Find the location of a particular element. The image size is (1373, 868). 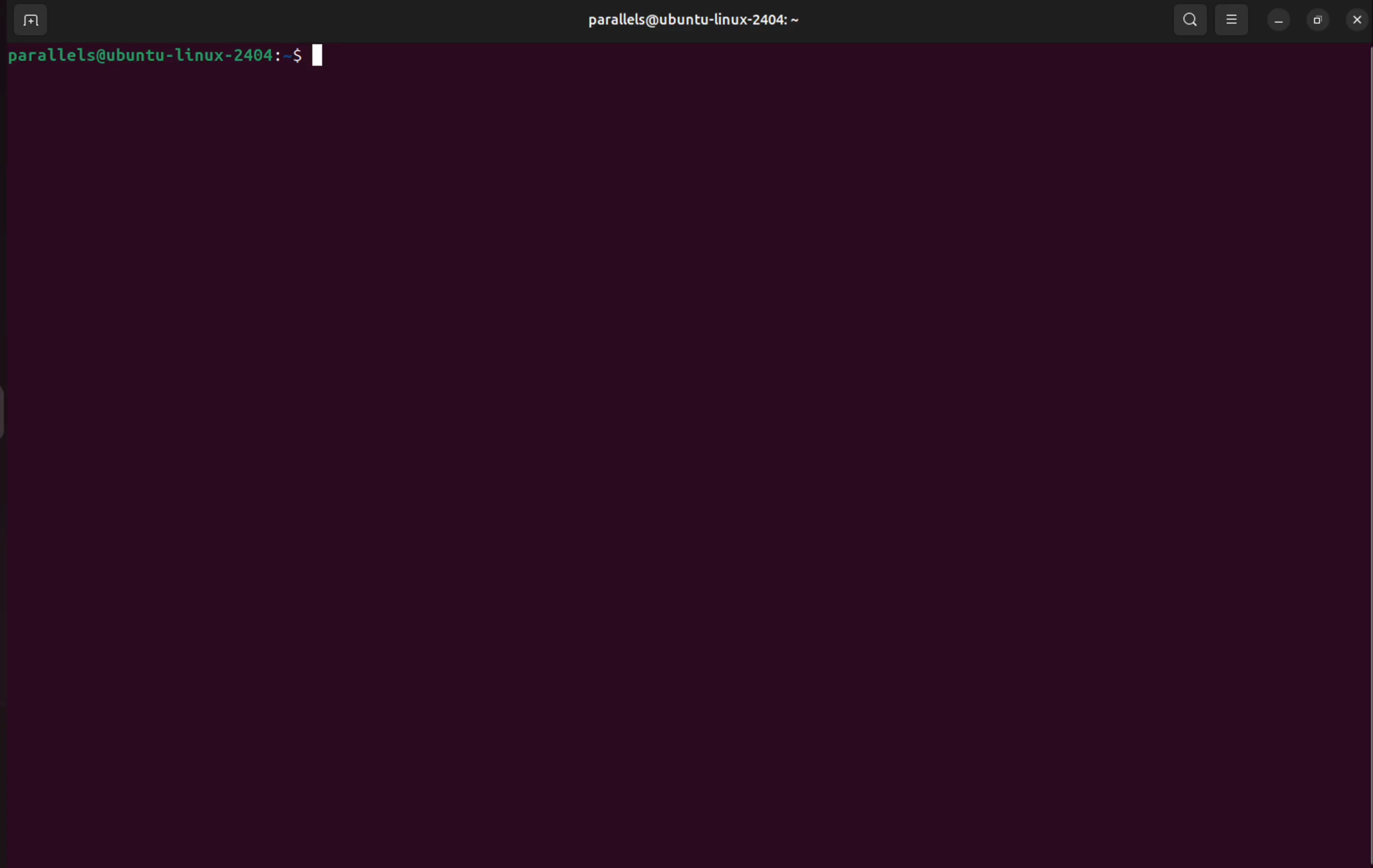

parallels@ubuntu-linux-2404: ~ is located at coordinates (700, 22).